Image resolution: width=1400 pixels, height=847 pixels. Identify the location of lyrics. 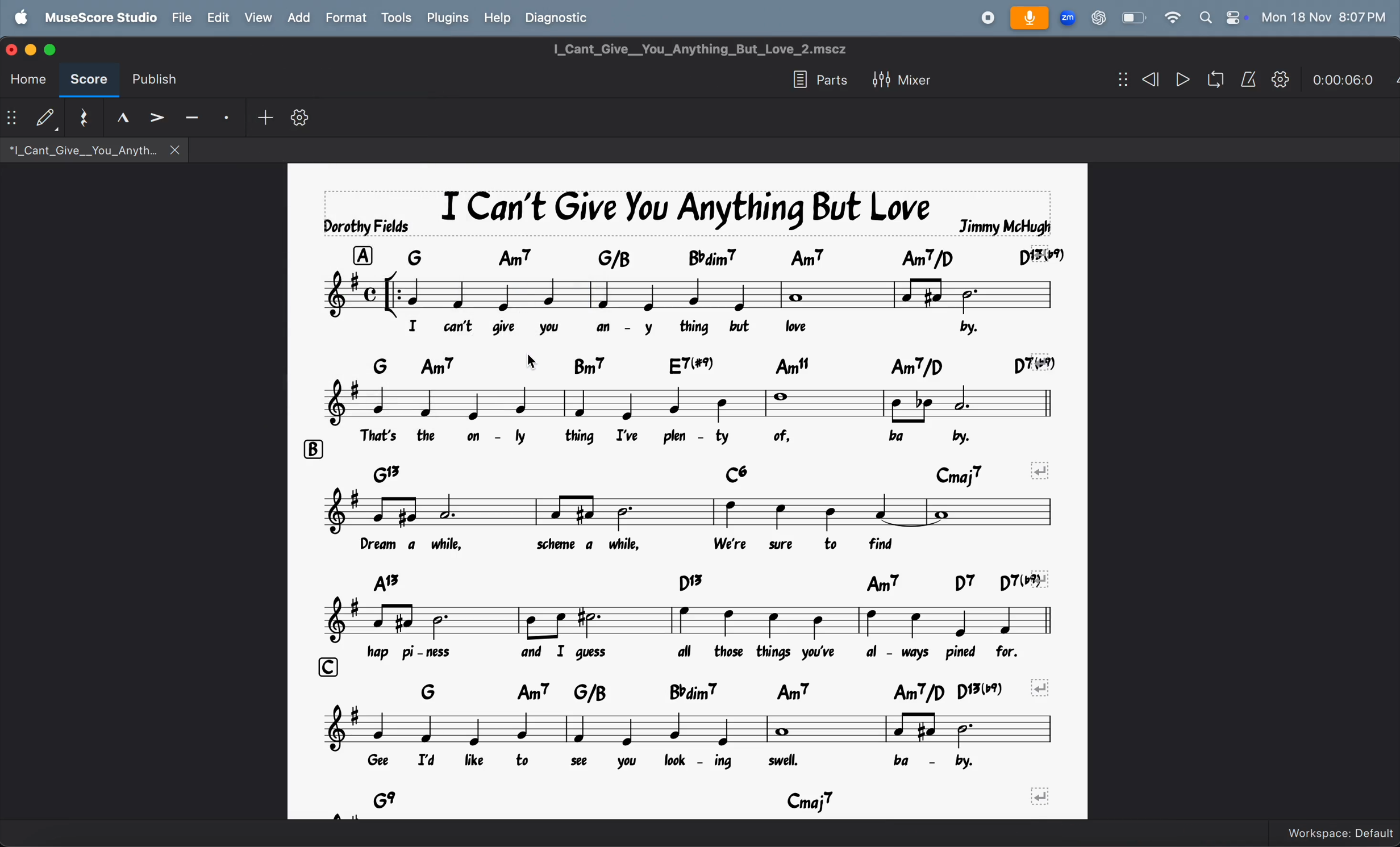
(691, 762).